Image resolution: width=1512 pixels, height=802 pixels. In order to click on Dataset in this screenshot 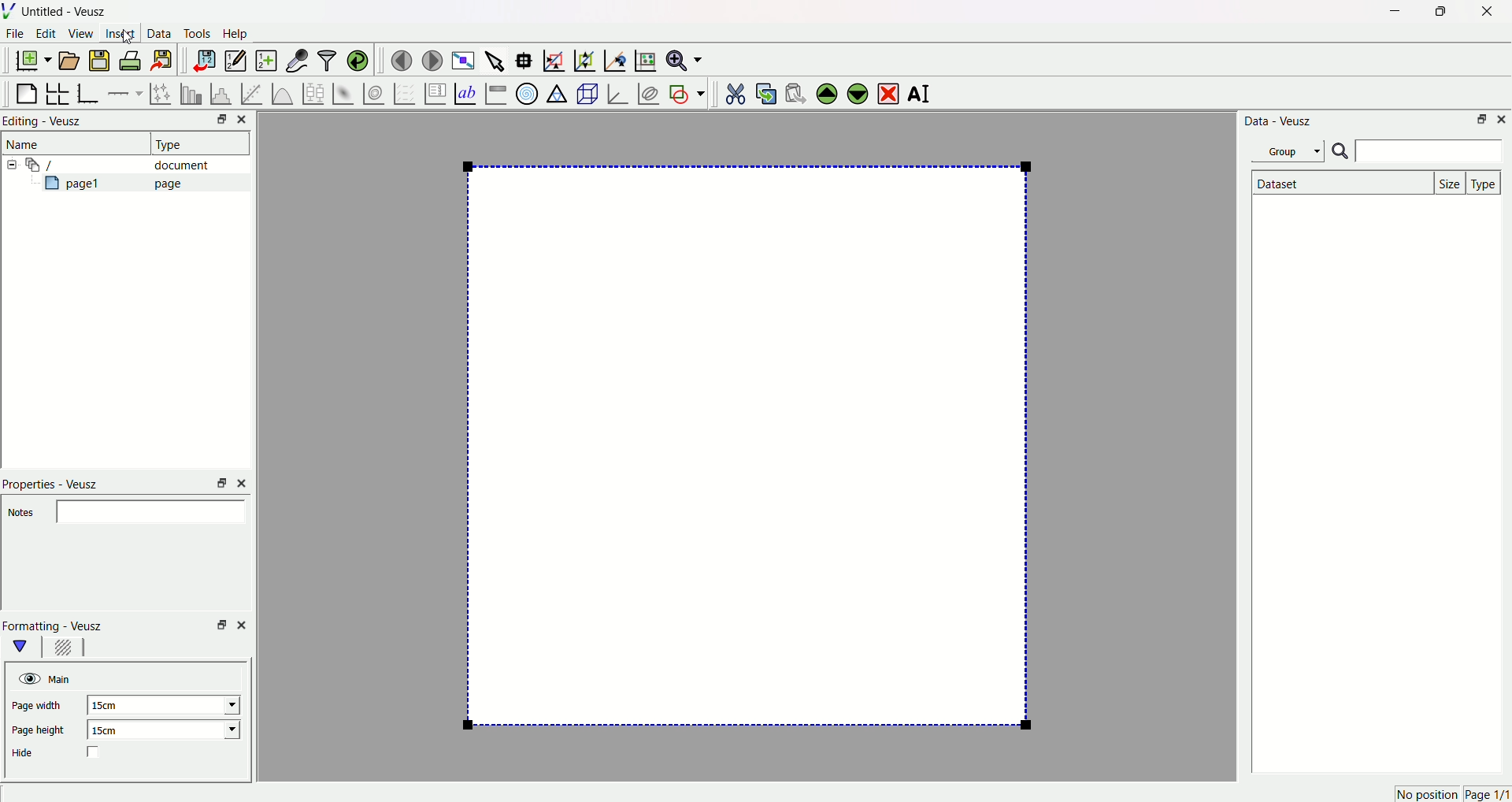, I will do `click(1340, 183)`.